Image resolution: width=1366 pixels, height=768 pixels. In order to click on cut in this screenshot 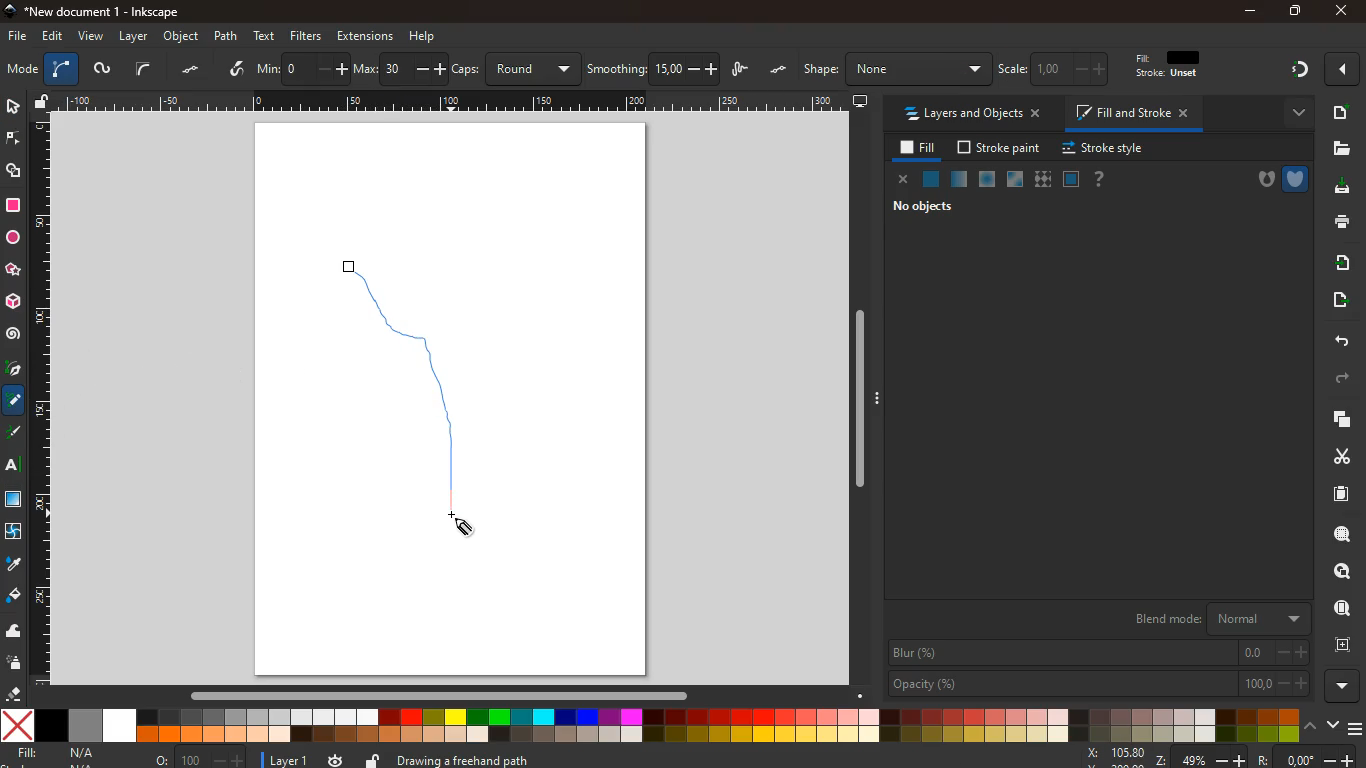, I will do `click(1334, 456)`.